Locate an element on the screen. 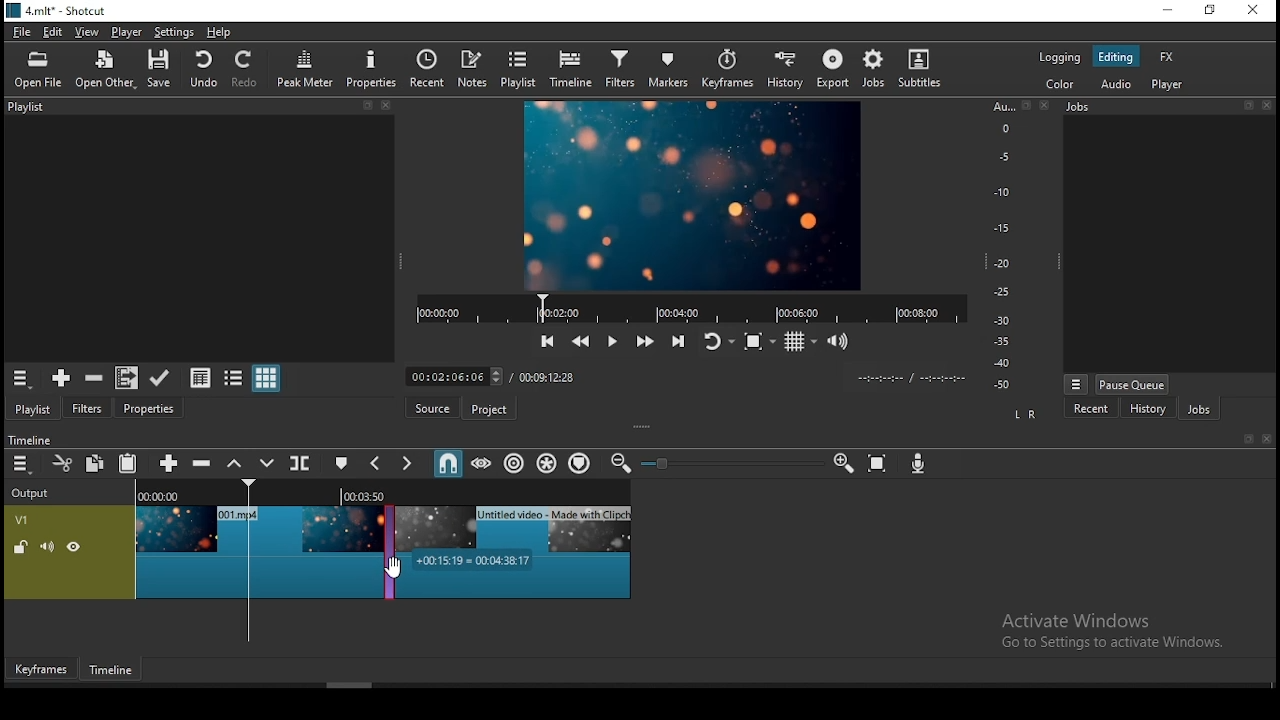 This screenshot has width=1280, height=720. save is located at coordinates (158, 69).